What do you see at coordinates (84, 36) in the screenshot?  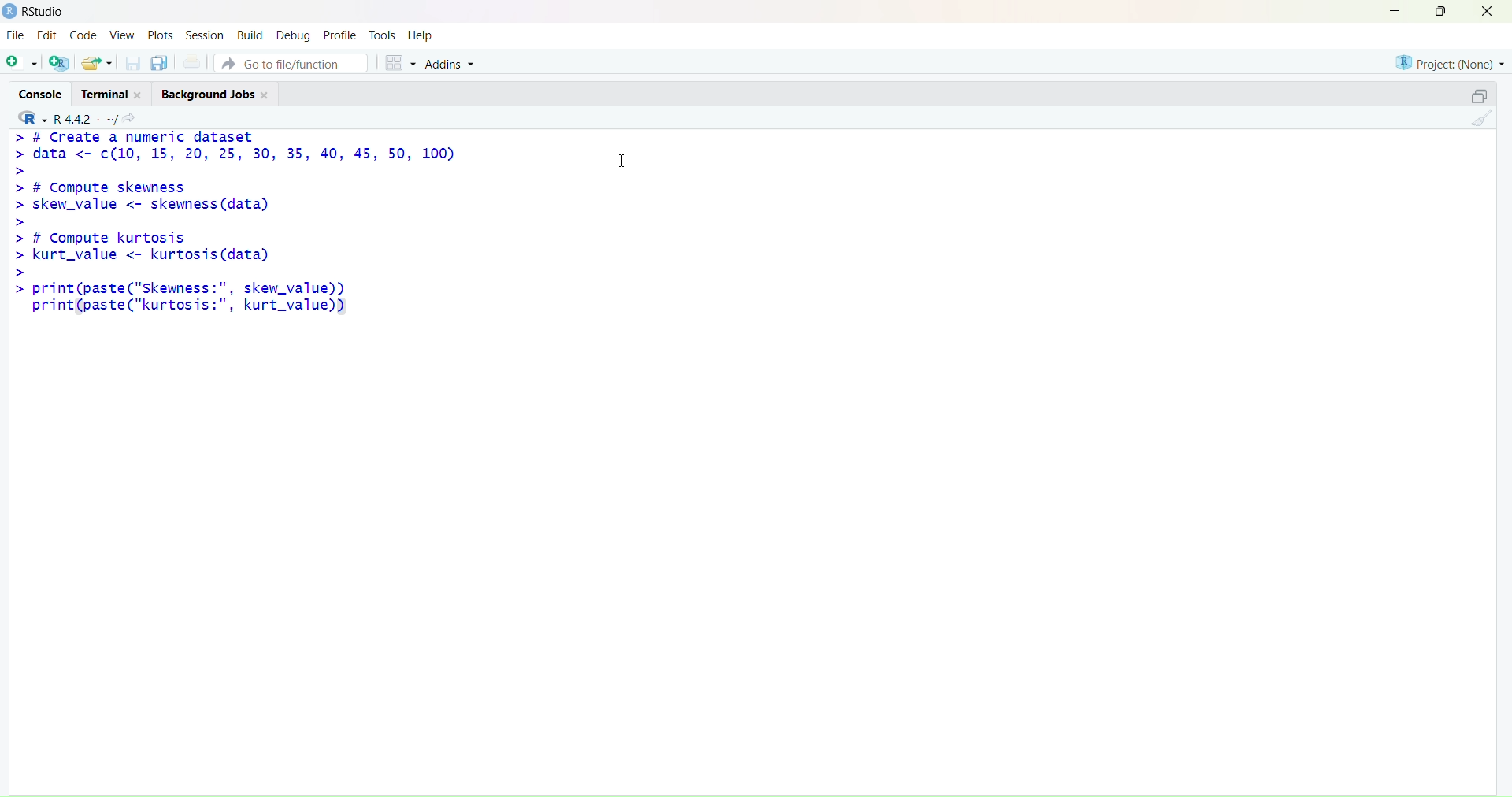 I see `Code` at bounding box center [84, 36].